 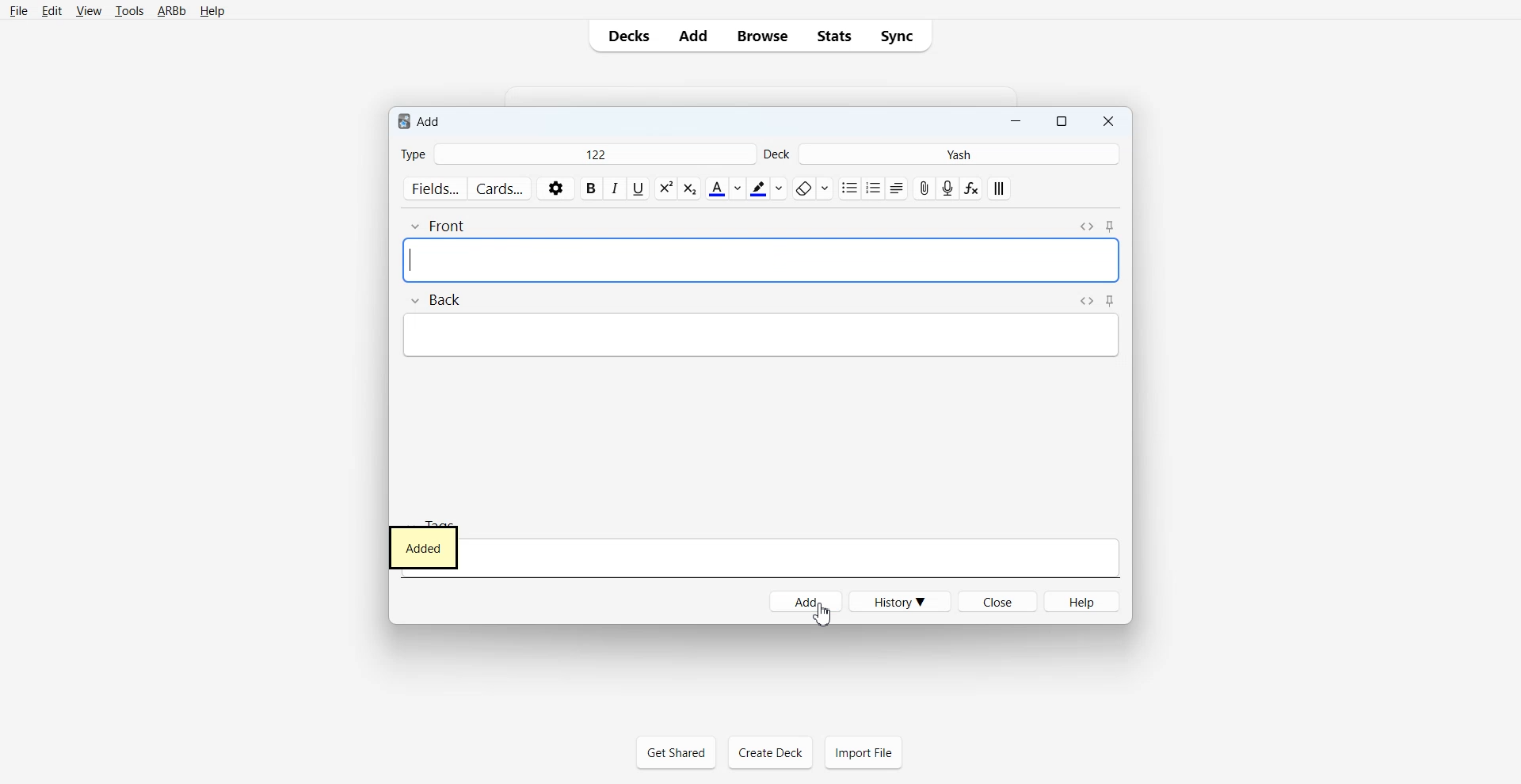 I want to click on cards, so click(x=505, y=188).